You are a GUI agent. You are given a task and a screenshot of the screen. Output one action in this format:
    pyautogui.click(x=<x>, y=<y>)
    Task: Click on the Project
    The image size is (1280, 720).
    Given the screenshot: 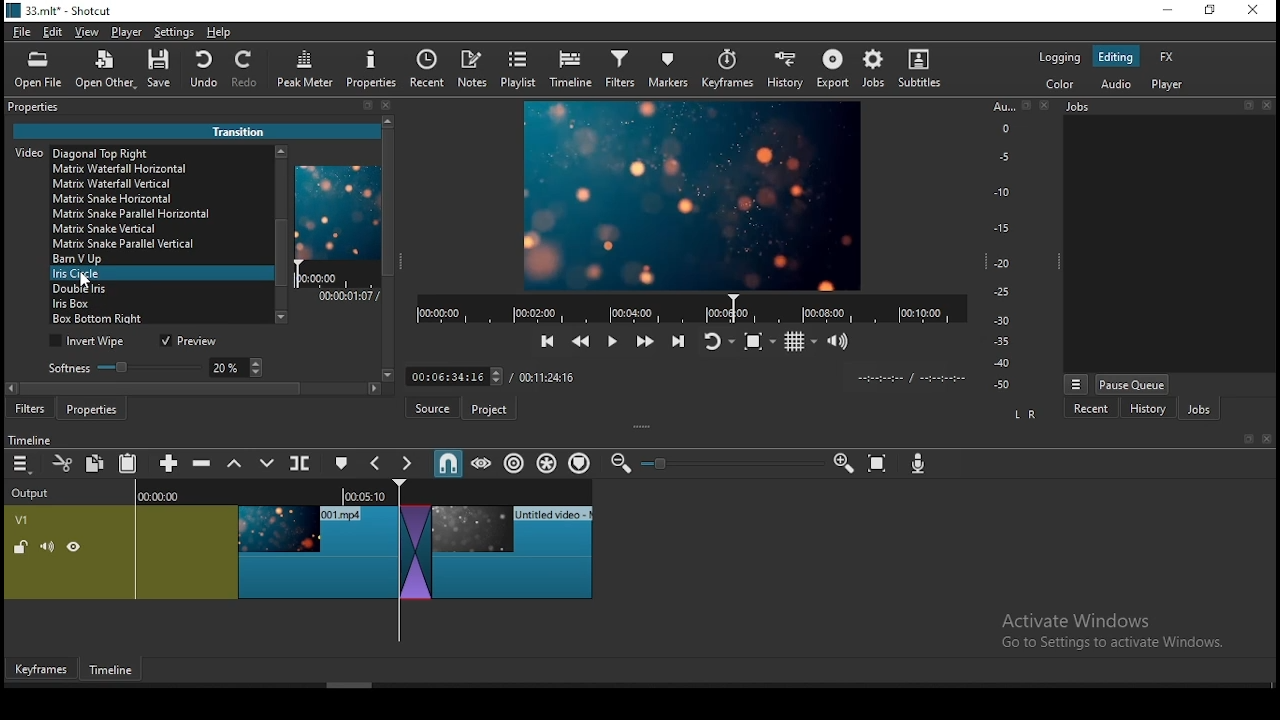 What is the action you would take?
    pyautogui.click(x=492, y=409)
    